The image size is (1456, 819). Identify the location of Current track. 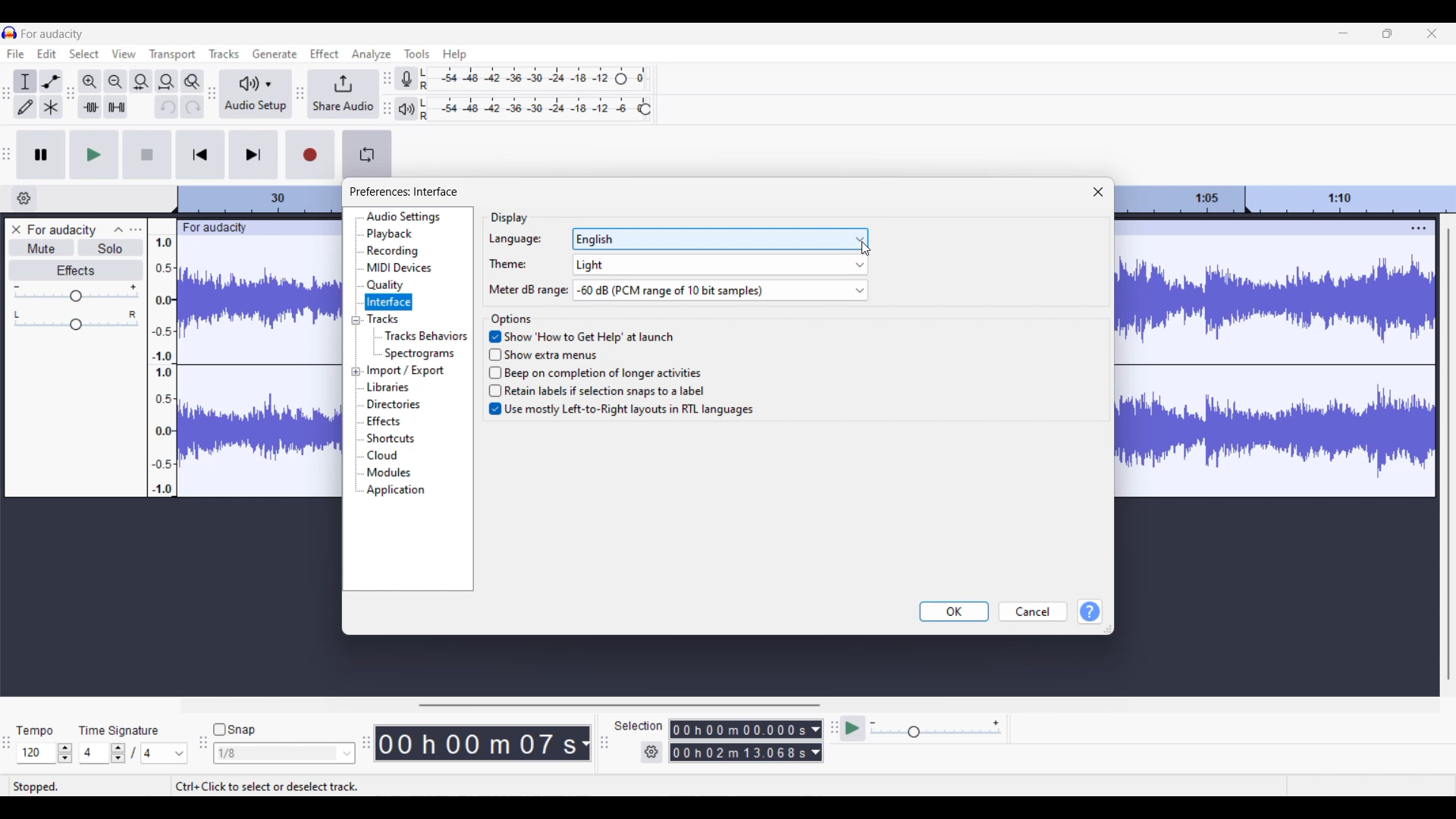
(1263, 359).